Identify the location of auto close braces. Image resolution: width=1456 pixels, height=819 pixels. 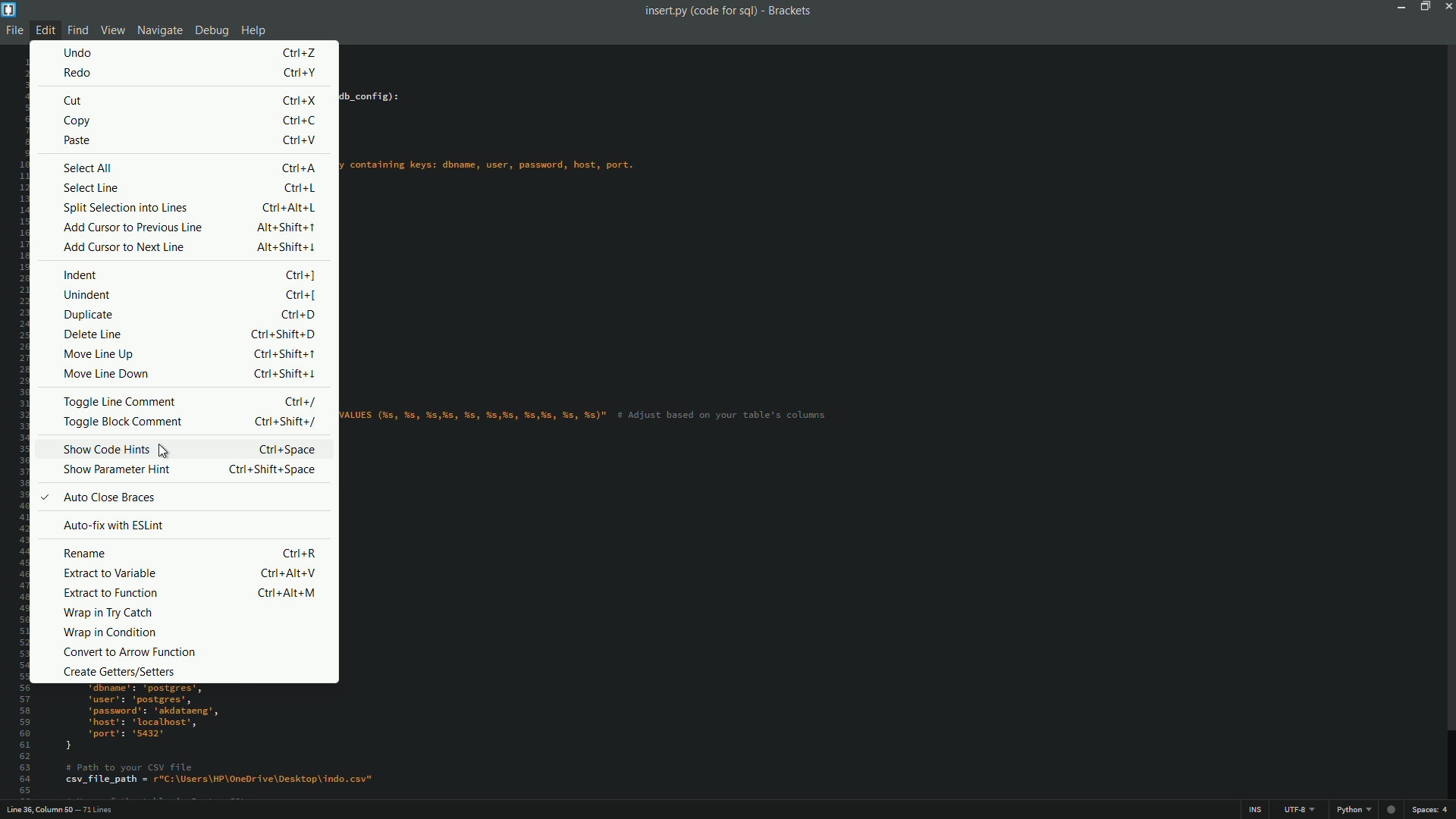
(111, 497).